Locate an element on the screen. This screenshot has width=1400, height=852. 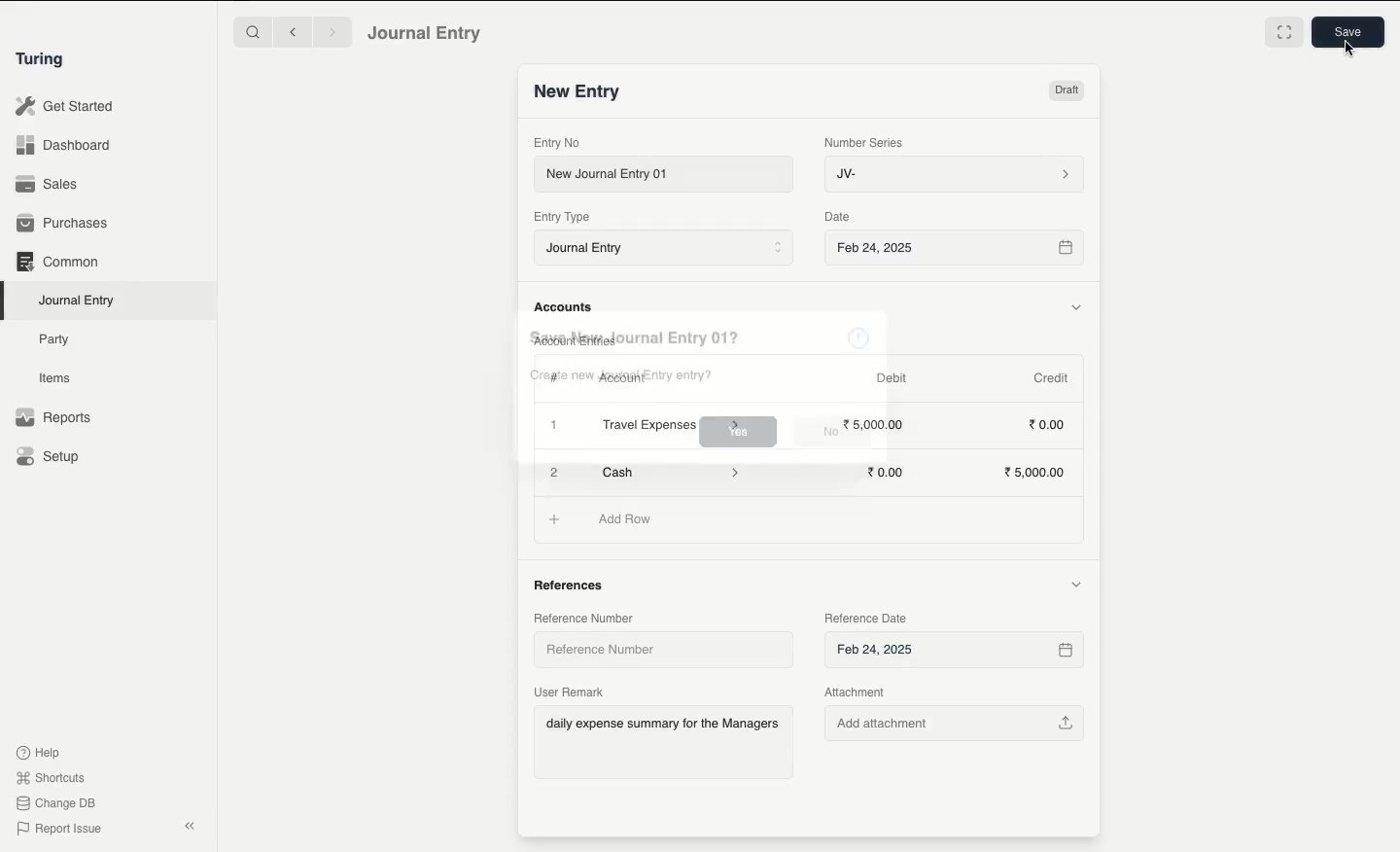
Journal Entry is located at coordinates (78, 302).